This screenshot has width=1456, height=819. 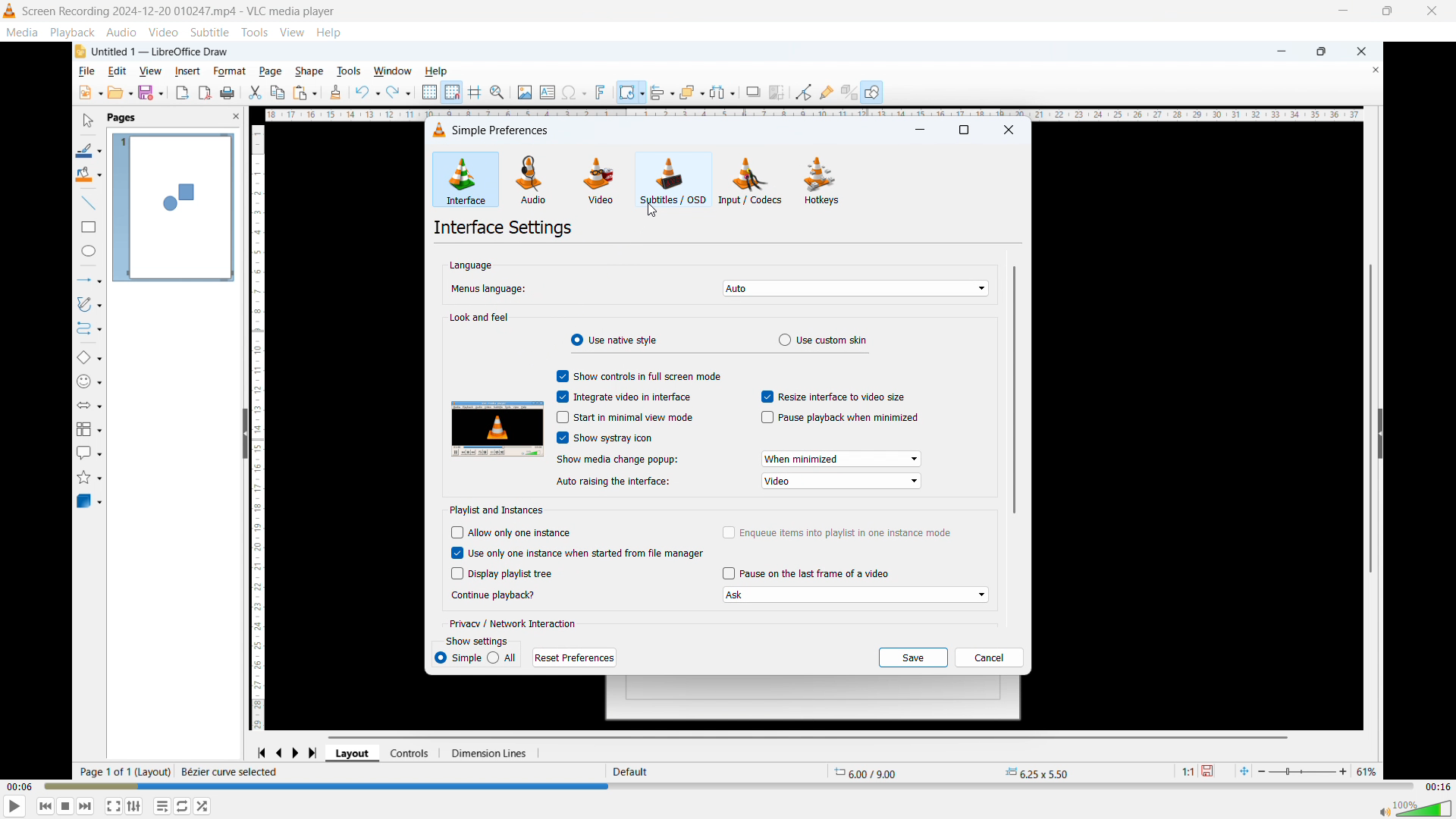 What do you see at coordinates (180, 12) in the screenshot?
I see `Screen Recording 2024-12-20 010247.mp4 - VLC media player` at bounding box center [180, 12].